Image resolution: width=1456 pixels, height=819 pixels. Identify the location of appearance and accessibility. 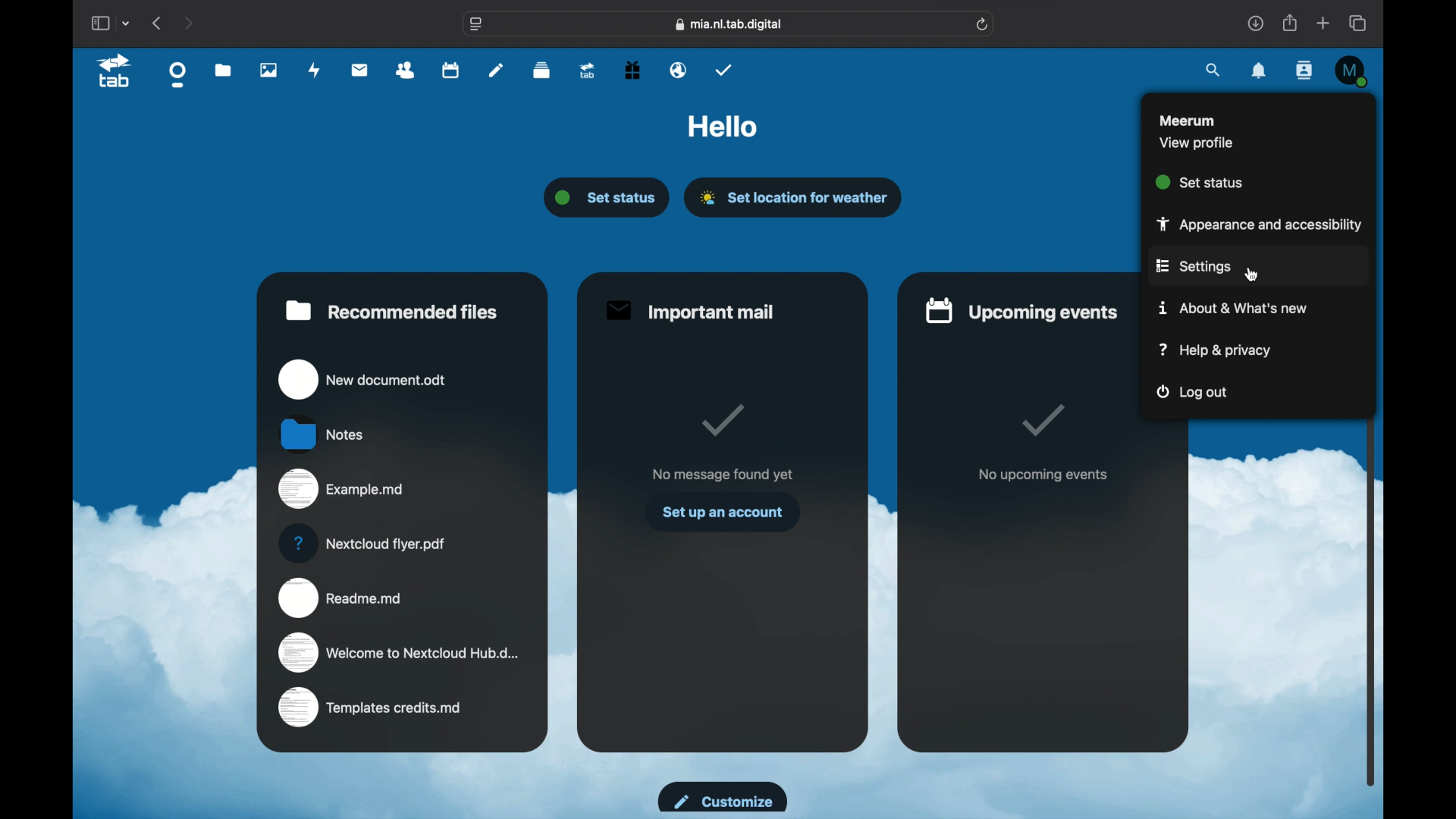
(1255, 224).